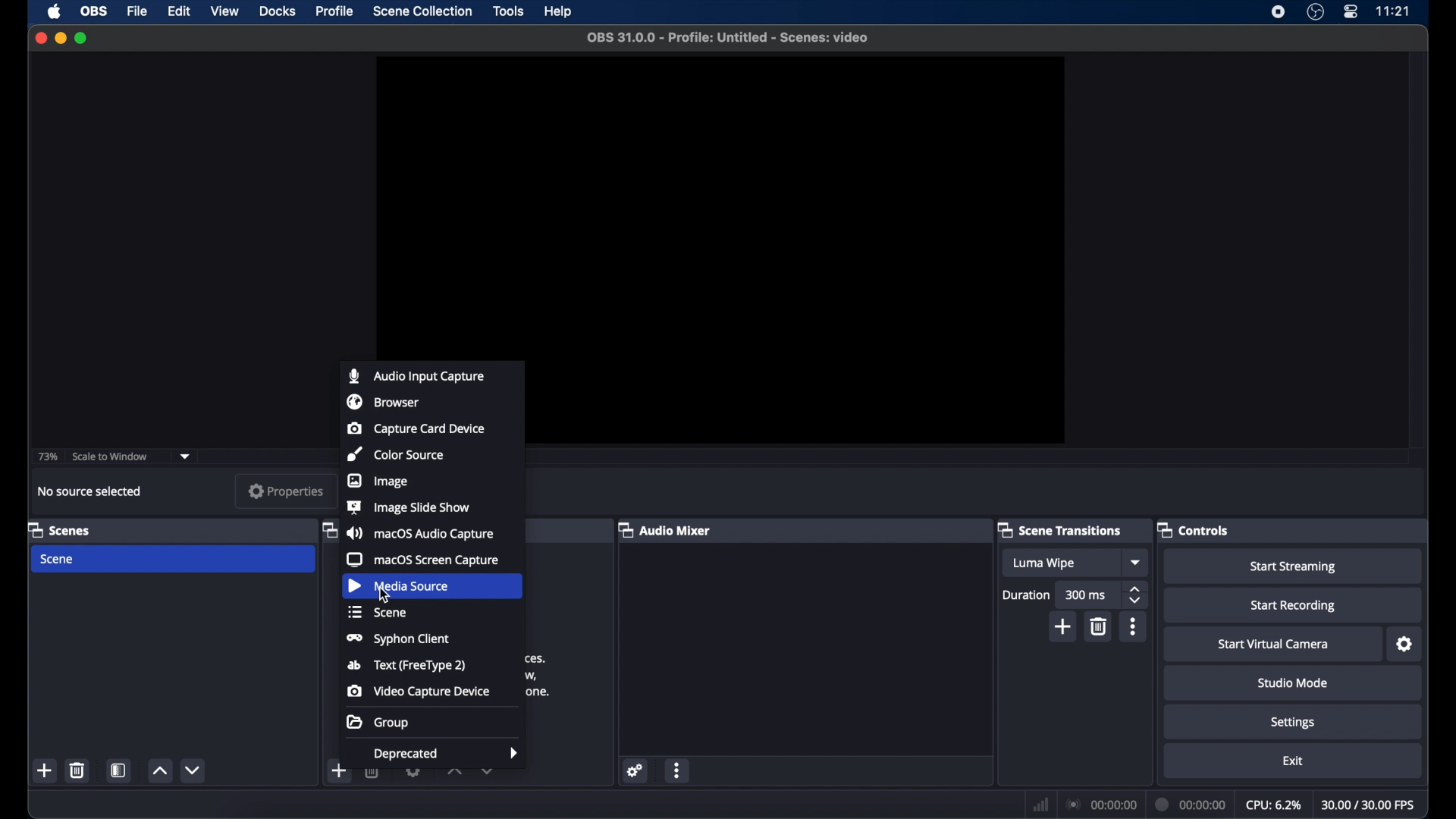  I want to click on control center, so click(1350, 12).